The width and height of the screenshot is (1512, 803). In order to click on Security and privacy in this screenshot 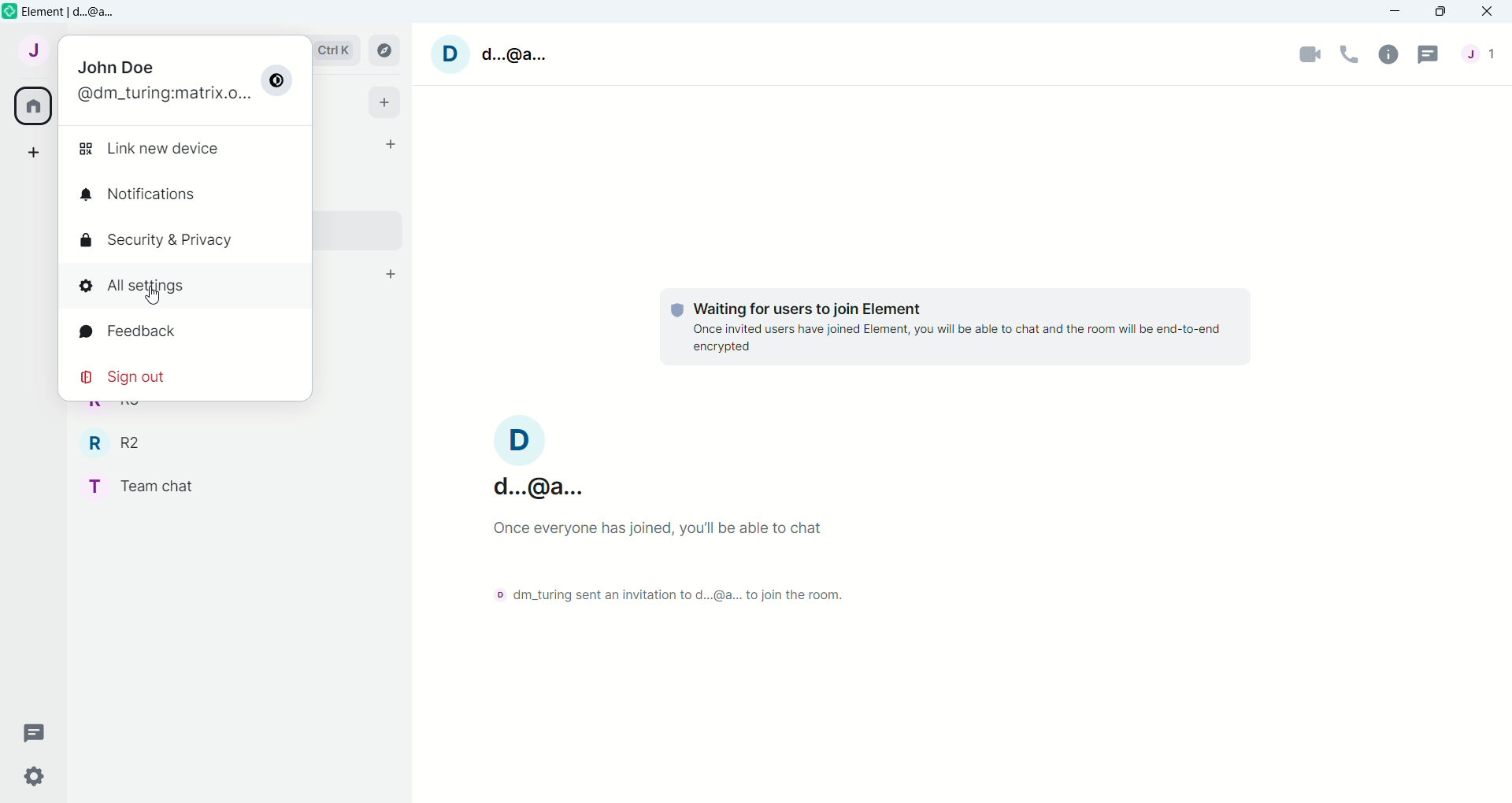, I will do `click(169, 241)`.